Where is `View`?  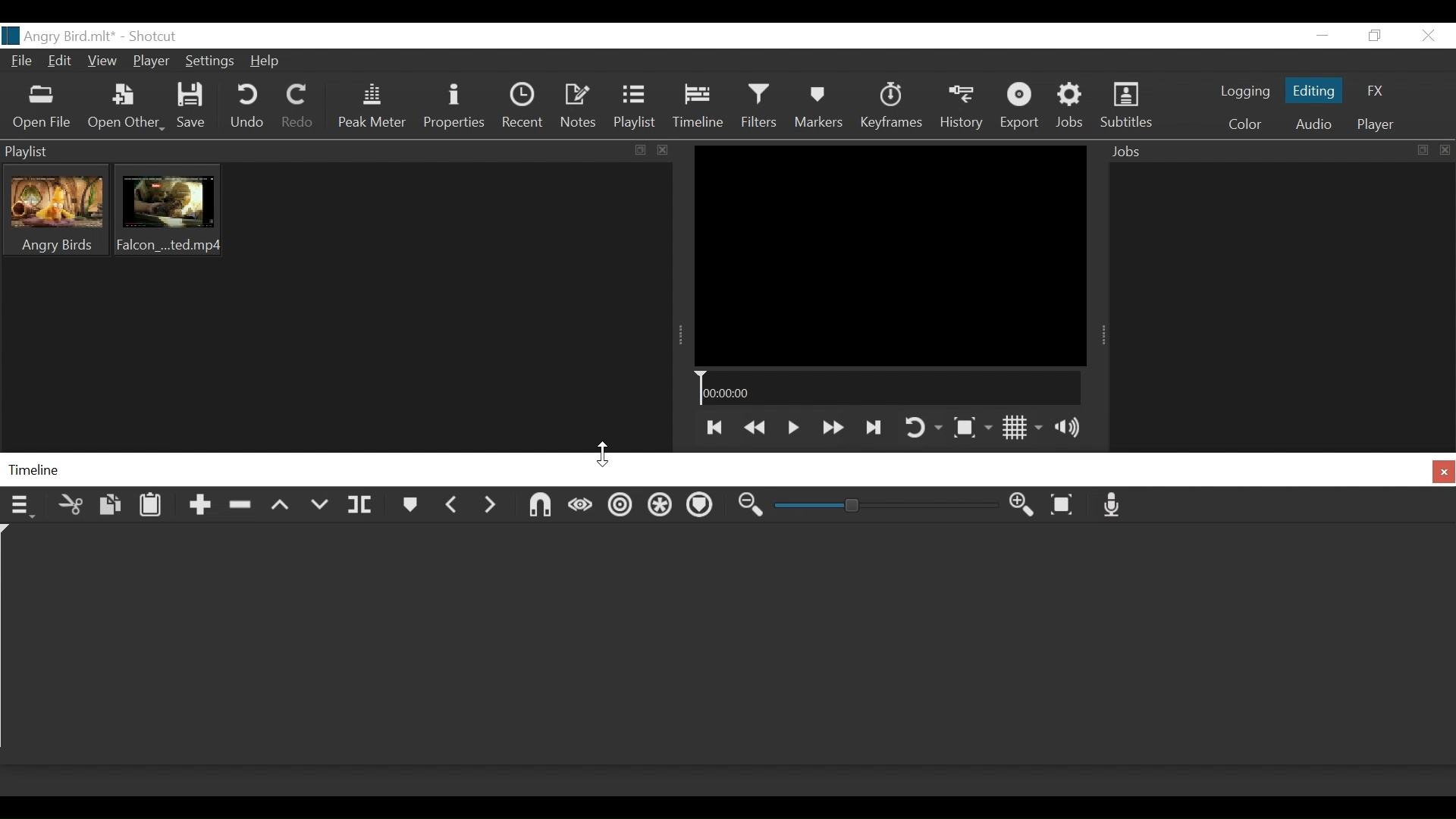 View is located at coordinates (104, 61).